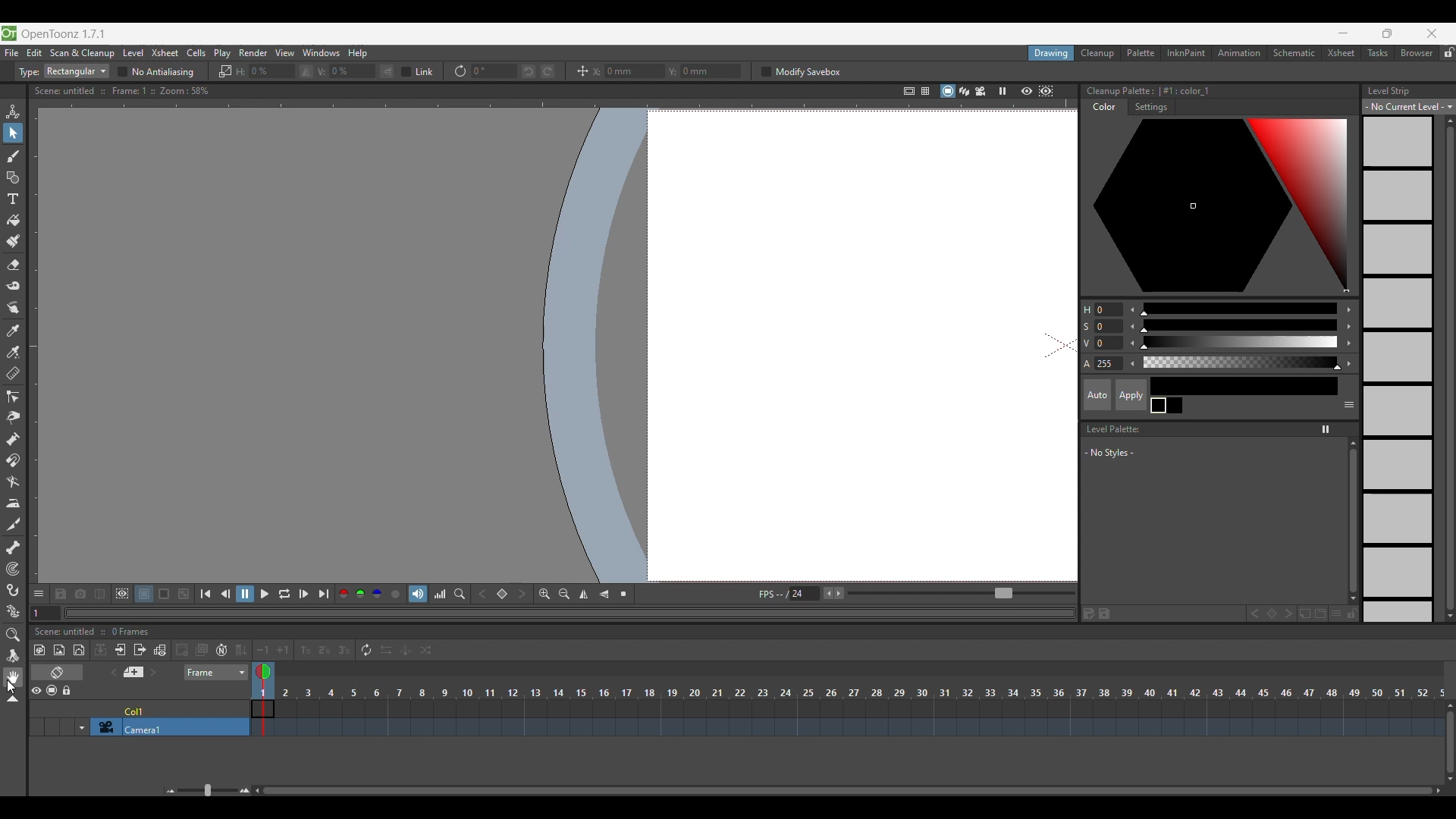 This screenshot has width=1456, height=819. Describe the element at coordinates (834, 593) in the screenshot. I see `Buttons to increase/decrease frames per second` at that location.